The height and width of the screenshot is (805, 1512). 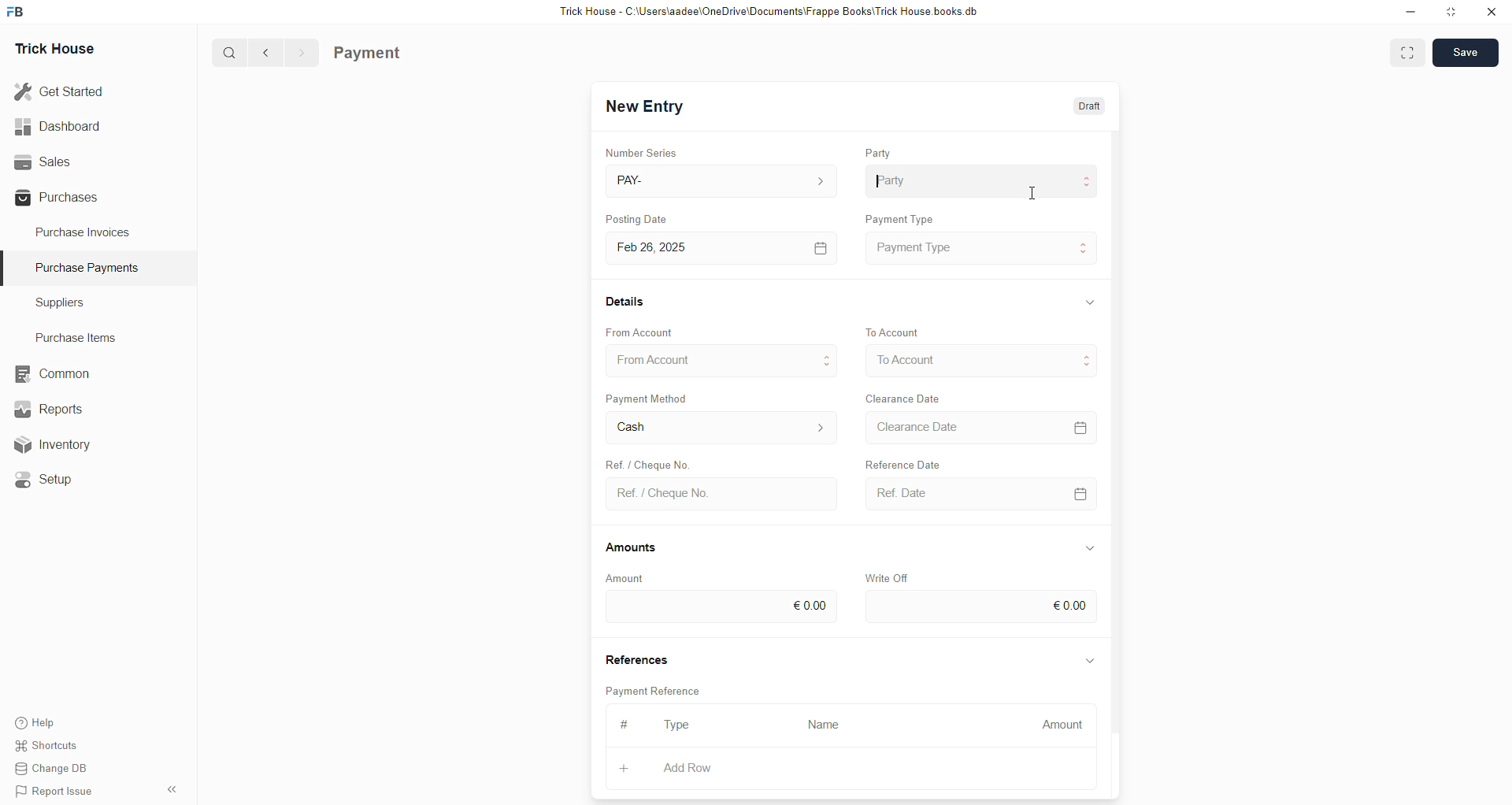 What do you see at coordinates (1492, 12) in the screenshot?
I see `close` at bounding box center [1492, 12].